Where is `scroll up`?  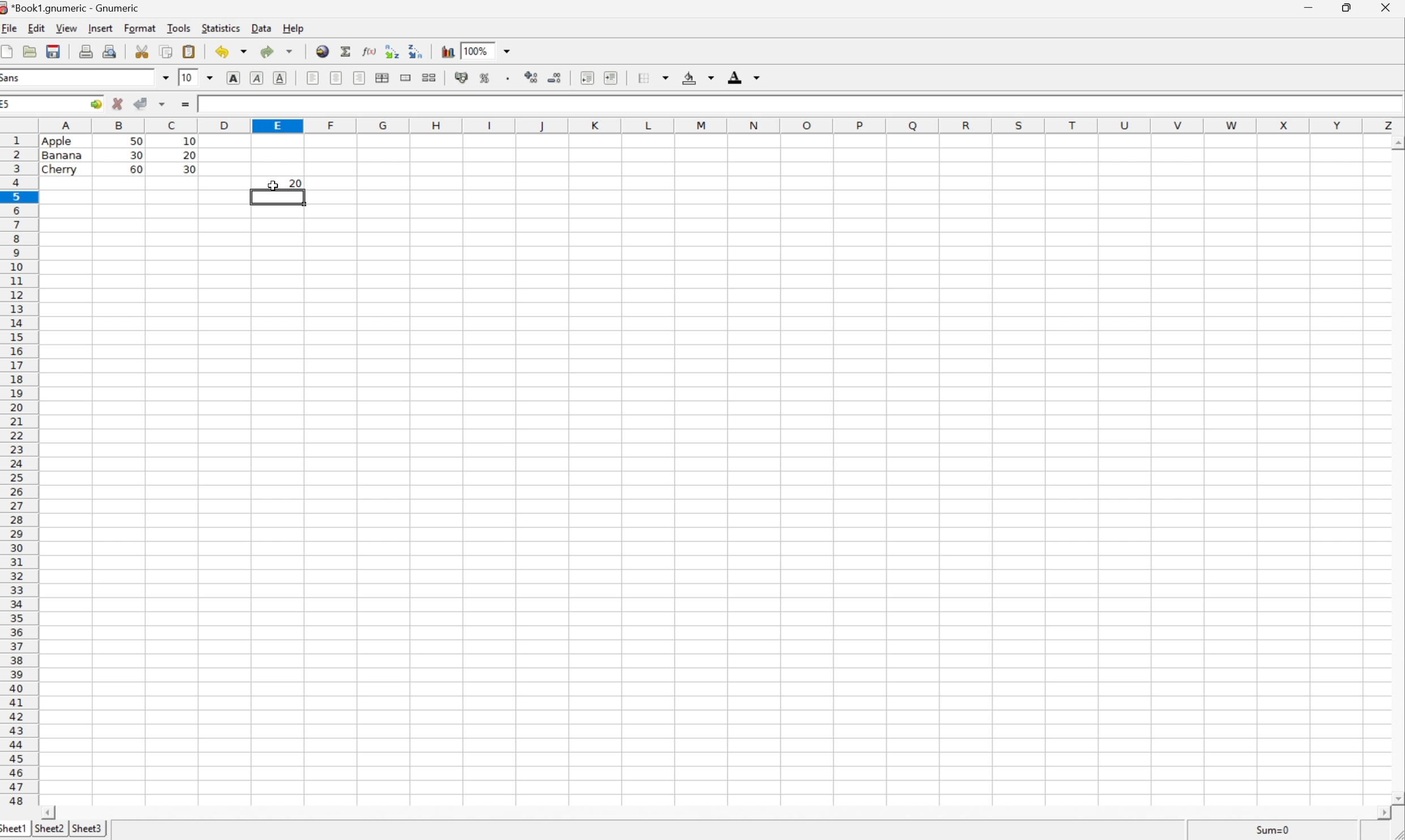 scroll up is located at coordinates (1396, 142).